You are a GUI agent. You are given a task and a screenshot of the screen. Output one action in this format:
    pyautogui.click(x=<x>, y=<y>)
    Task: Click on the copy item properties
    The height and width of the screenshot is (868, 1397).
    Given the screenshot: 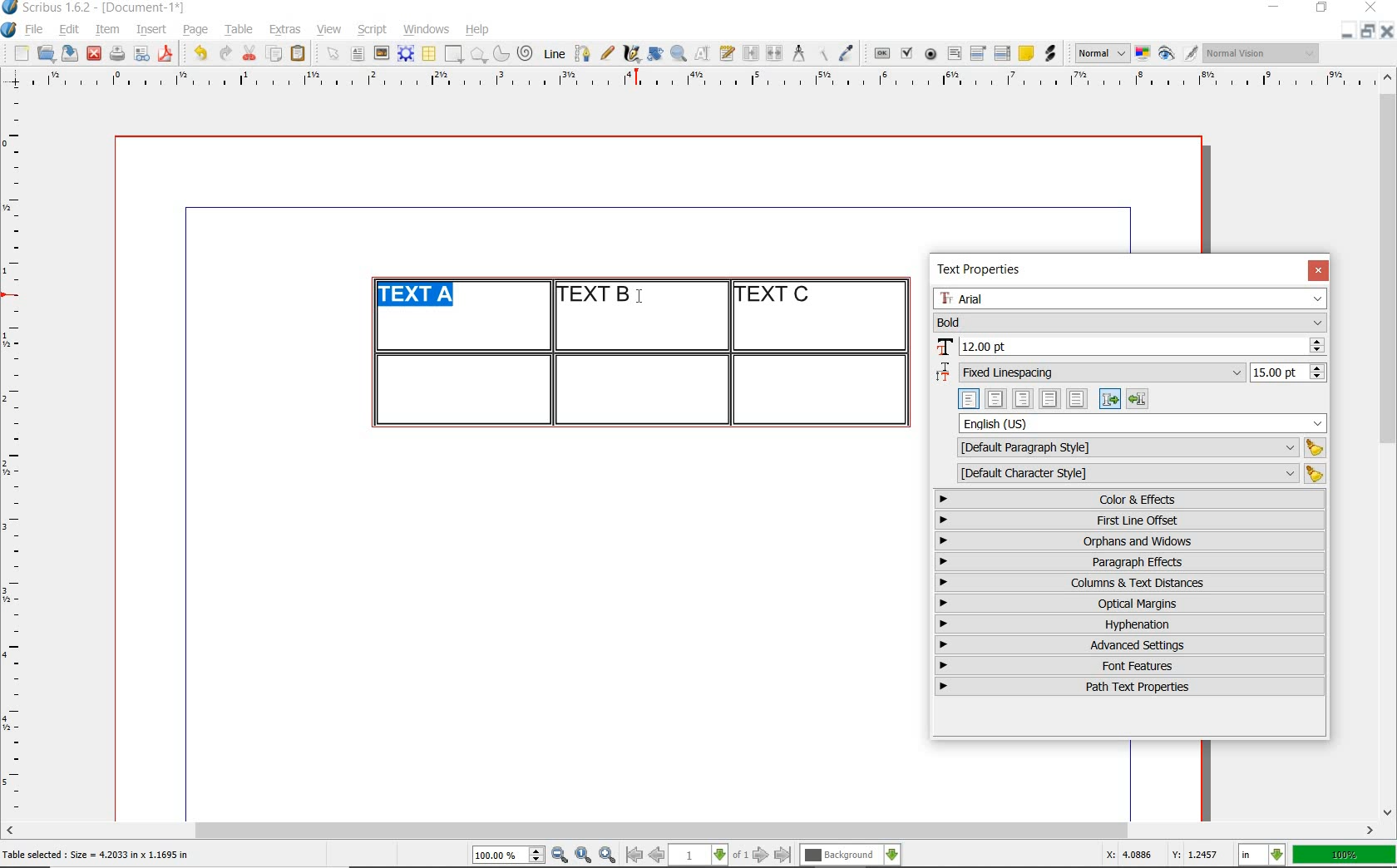 What is the action you would take?
    pyautogui.click(x=822, y=53)
    